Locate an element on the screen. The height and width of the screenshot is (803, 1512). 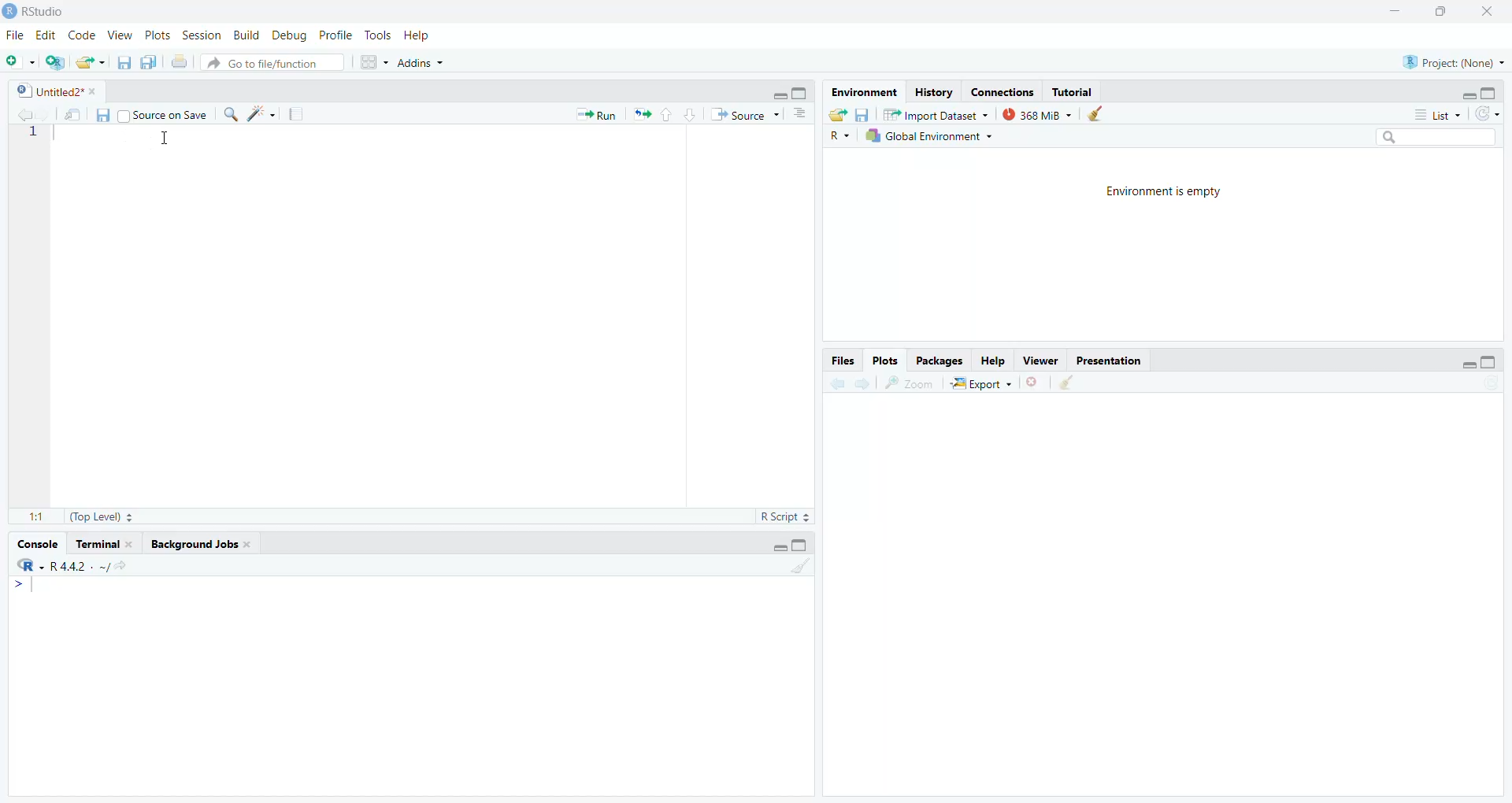
Help is located at coordinates (994, 361).